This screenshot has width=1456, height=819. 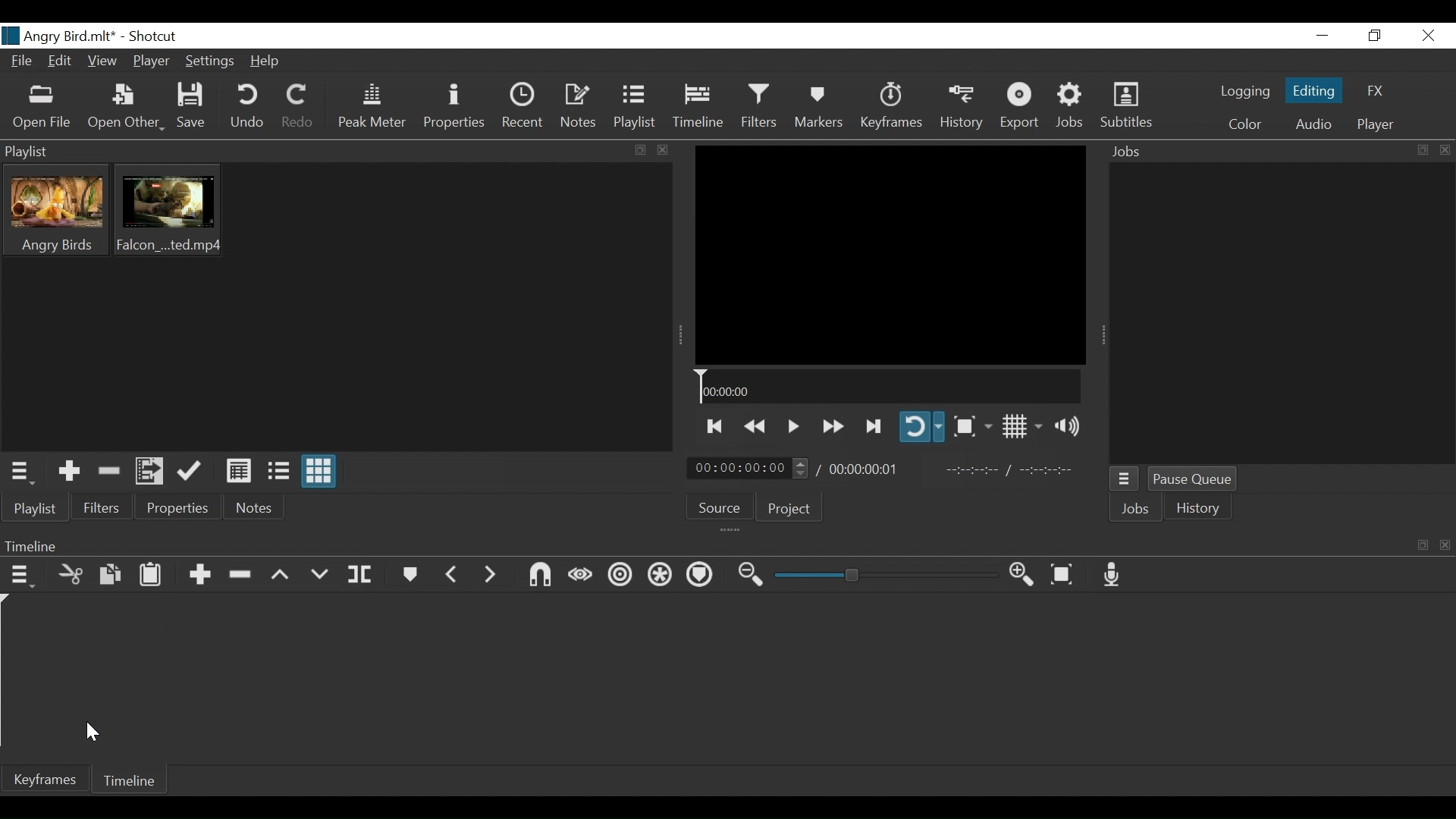 What do you see at coordinates (1020, 107) in the screenshot?
I see `Export` at bounding box center [1020, 107].